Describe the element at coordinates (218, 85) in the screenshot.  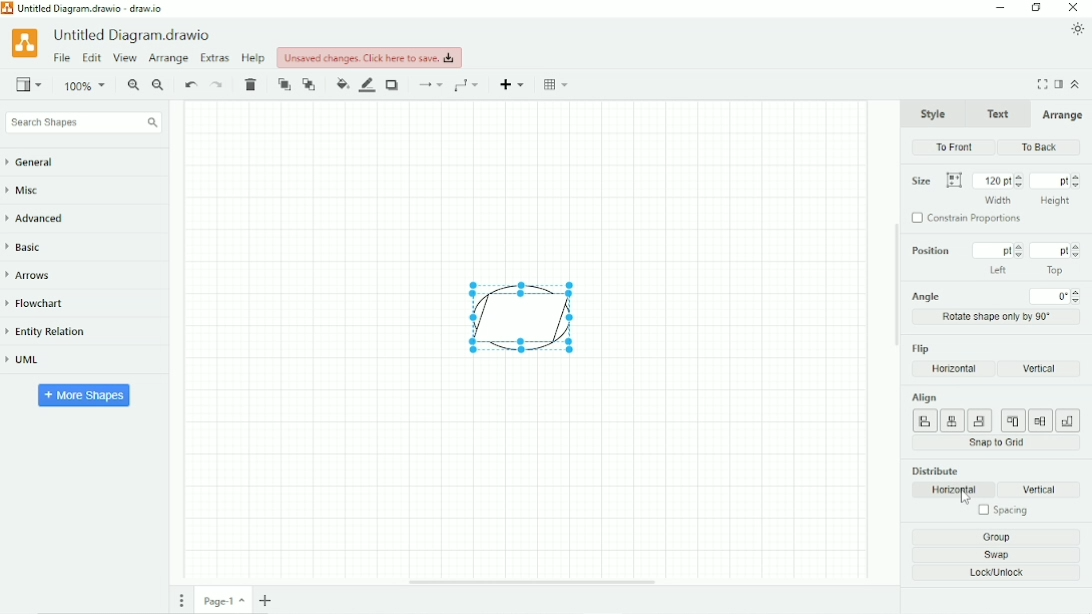
I see `Redo` at that location.